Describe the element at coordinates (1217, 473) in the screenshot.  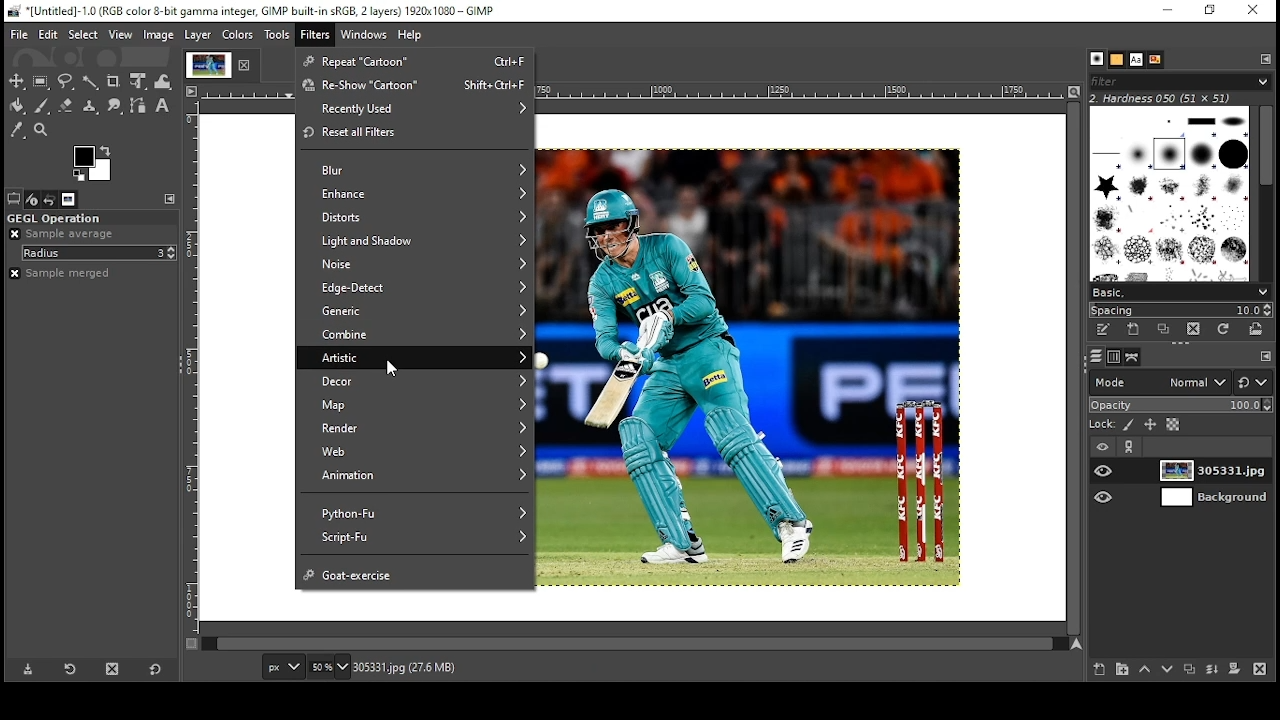
I see `layer 1` at that location.